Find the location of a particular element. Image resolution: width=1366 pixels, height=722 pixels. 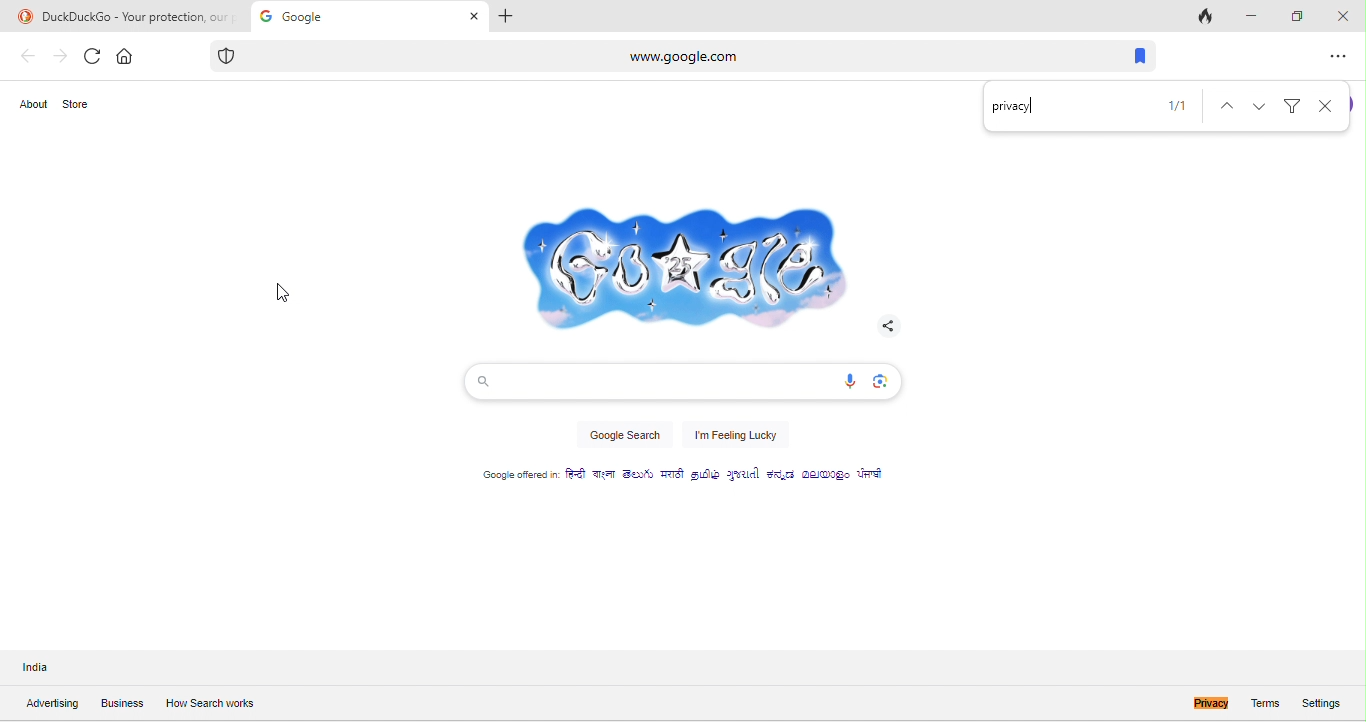

maximize is located at coordinates (1295, 15).